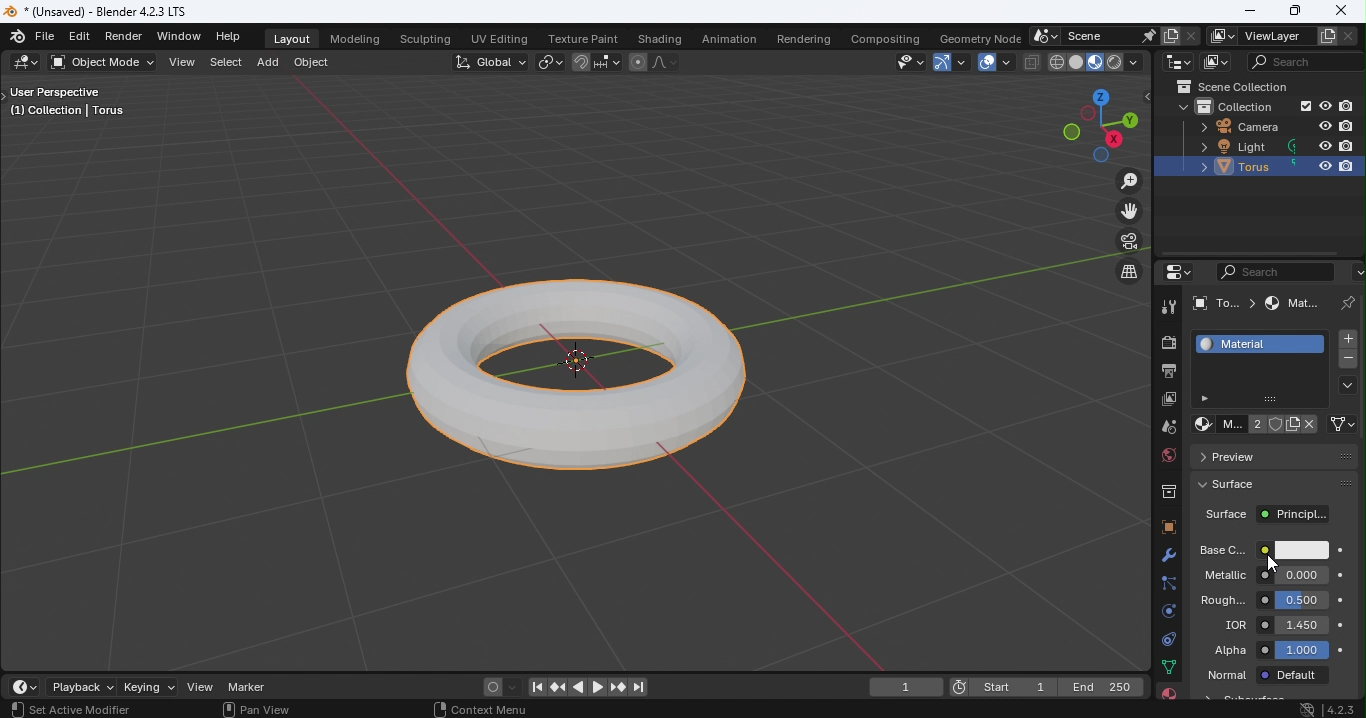 This screenshot has height=718, width=1366. I want to click on Keying, so click(147, 687).